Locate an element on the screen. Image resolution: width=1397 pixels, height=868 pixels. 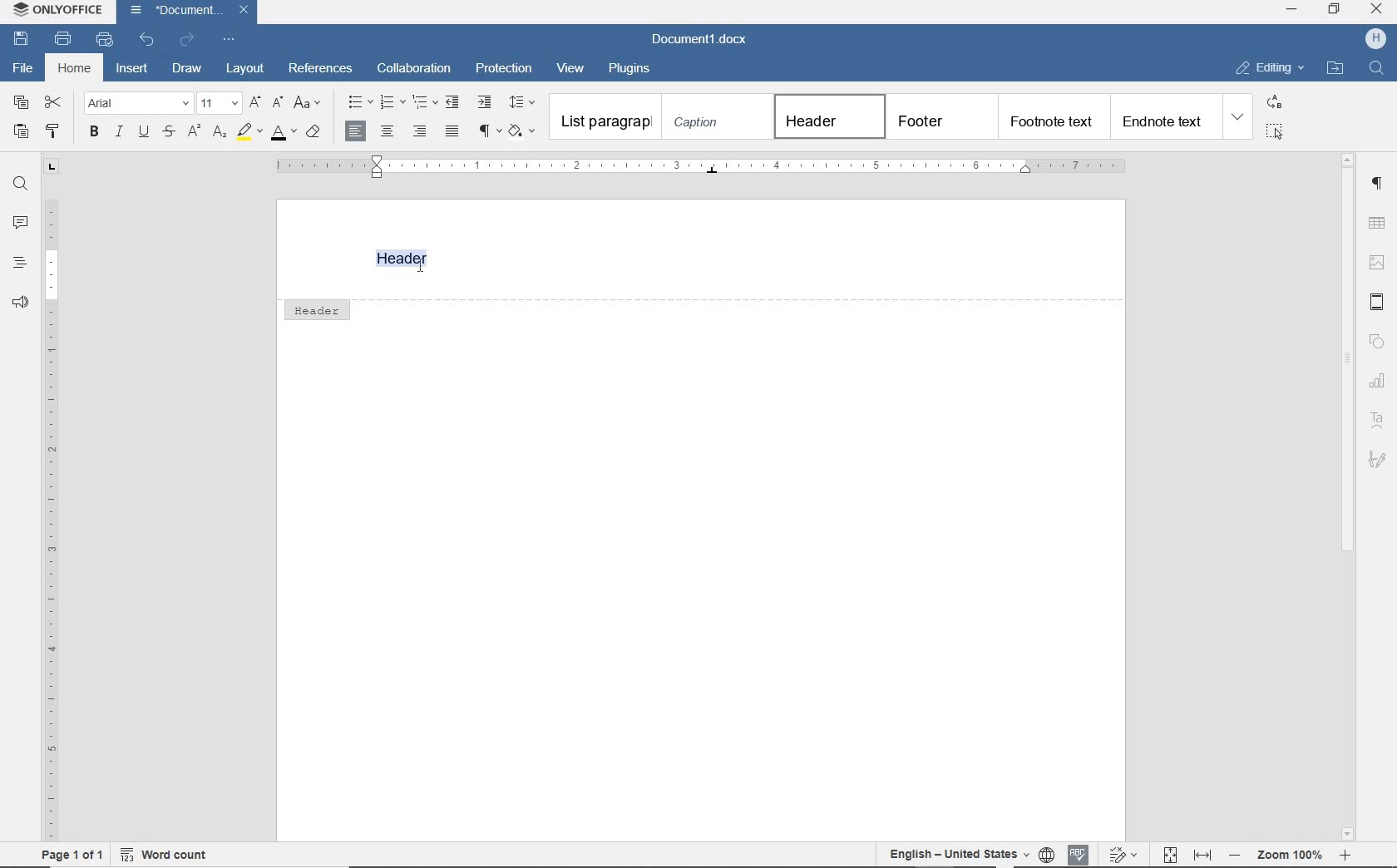
insert is located at coordinates (133, 67).